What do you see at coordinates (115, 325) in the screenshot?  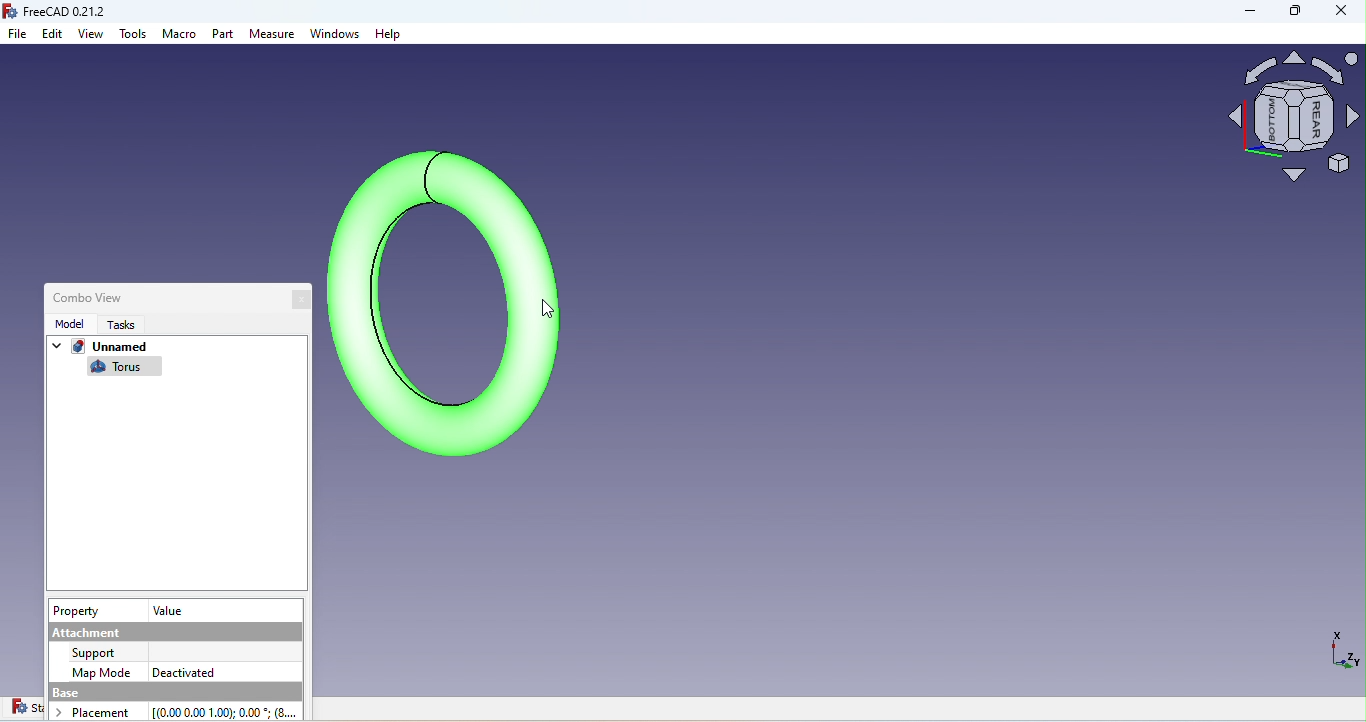 I see `Tasks` at bounding box center [115, 325].